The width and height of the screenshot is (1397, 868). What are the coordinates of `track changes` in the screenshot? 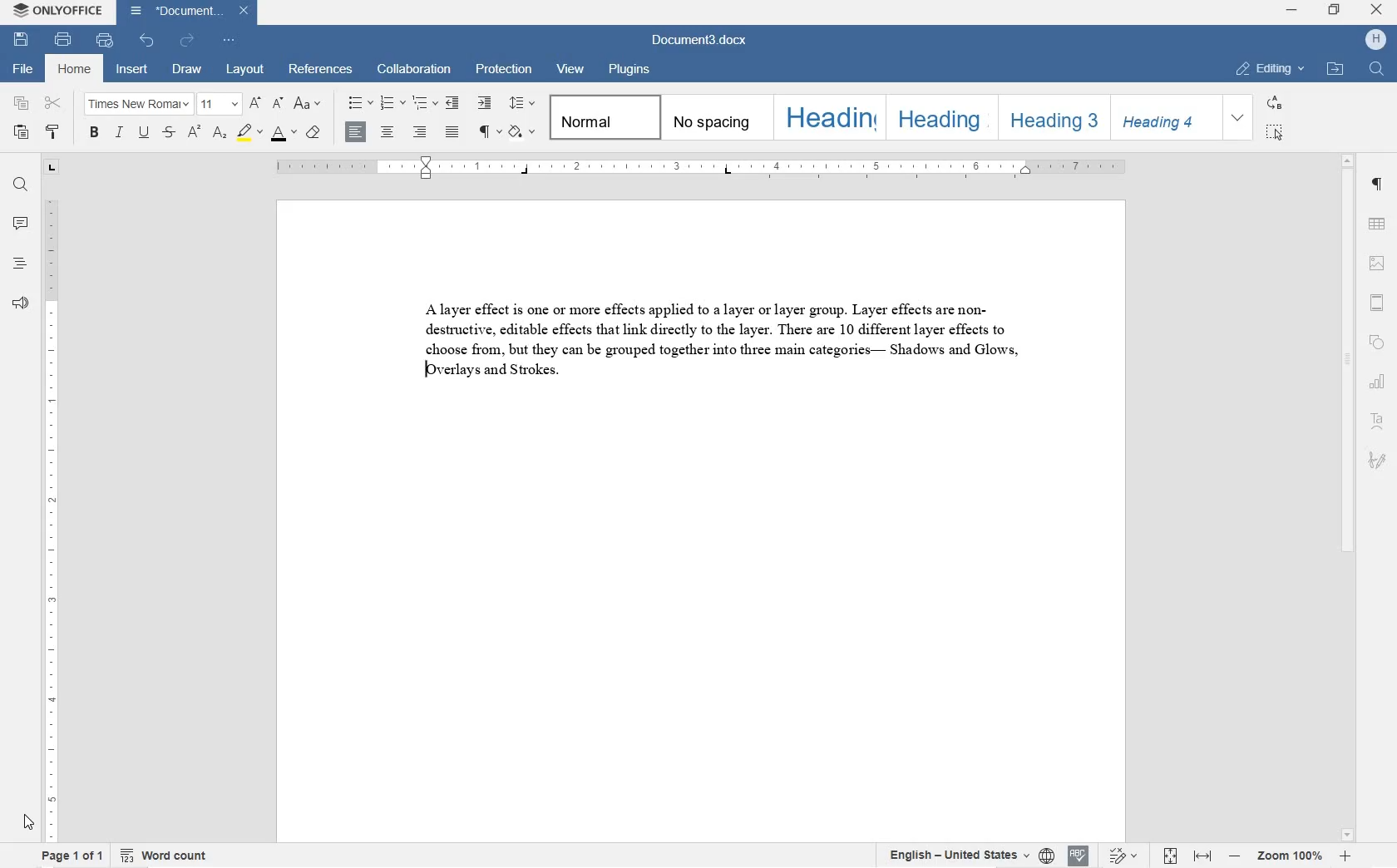 It's located at (1125, 856).